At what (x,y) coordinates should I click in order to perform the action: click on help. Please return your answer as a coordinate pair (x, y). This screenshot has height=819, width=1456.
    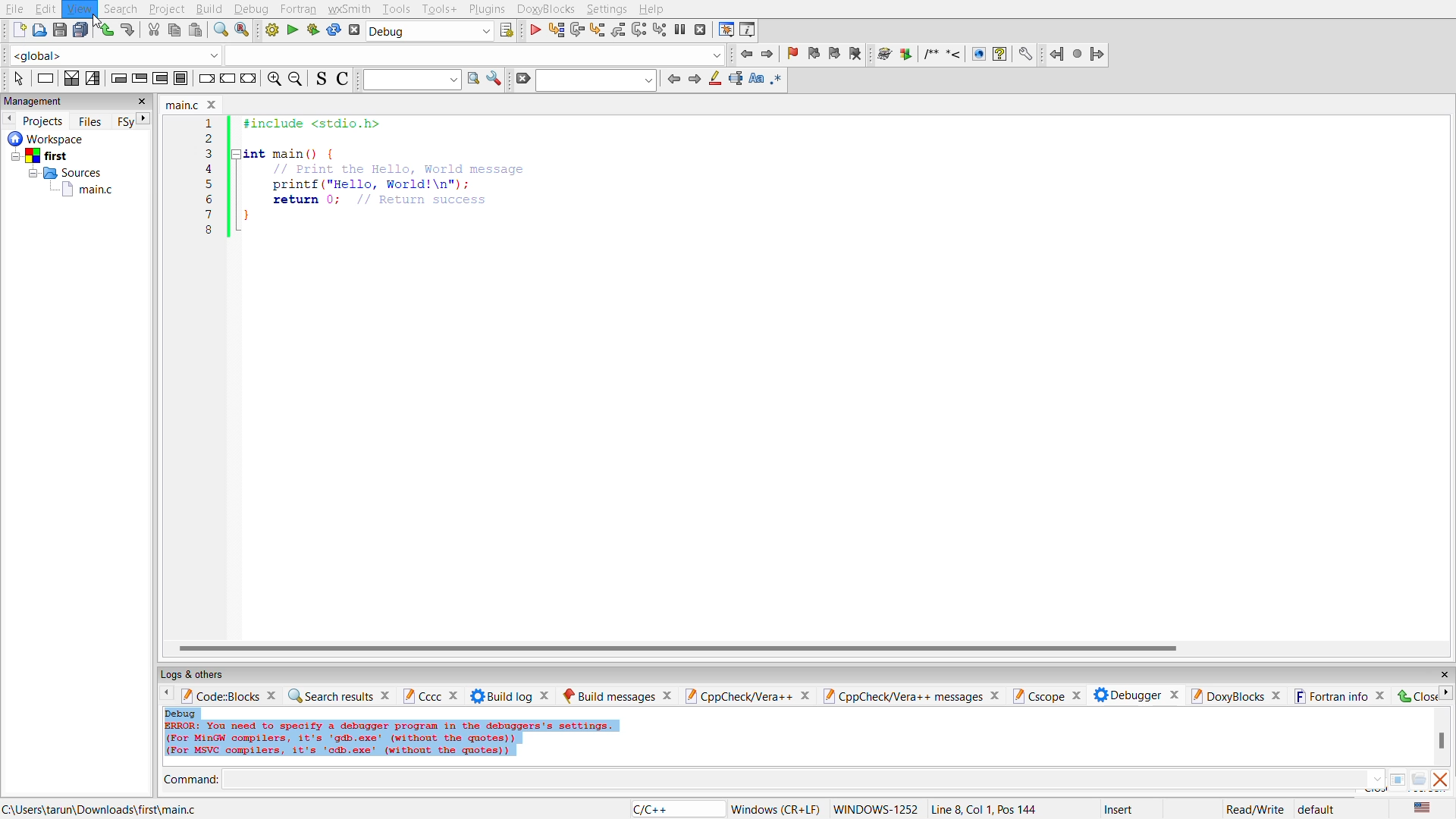
    Looking at the image, I should click on (653, 8).